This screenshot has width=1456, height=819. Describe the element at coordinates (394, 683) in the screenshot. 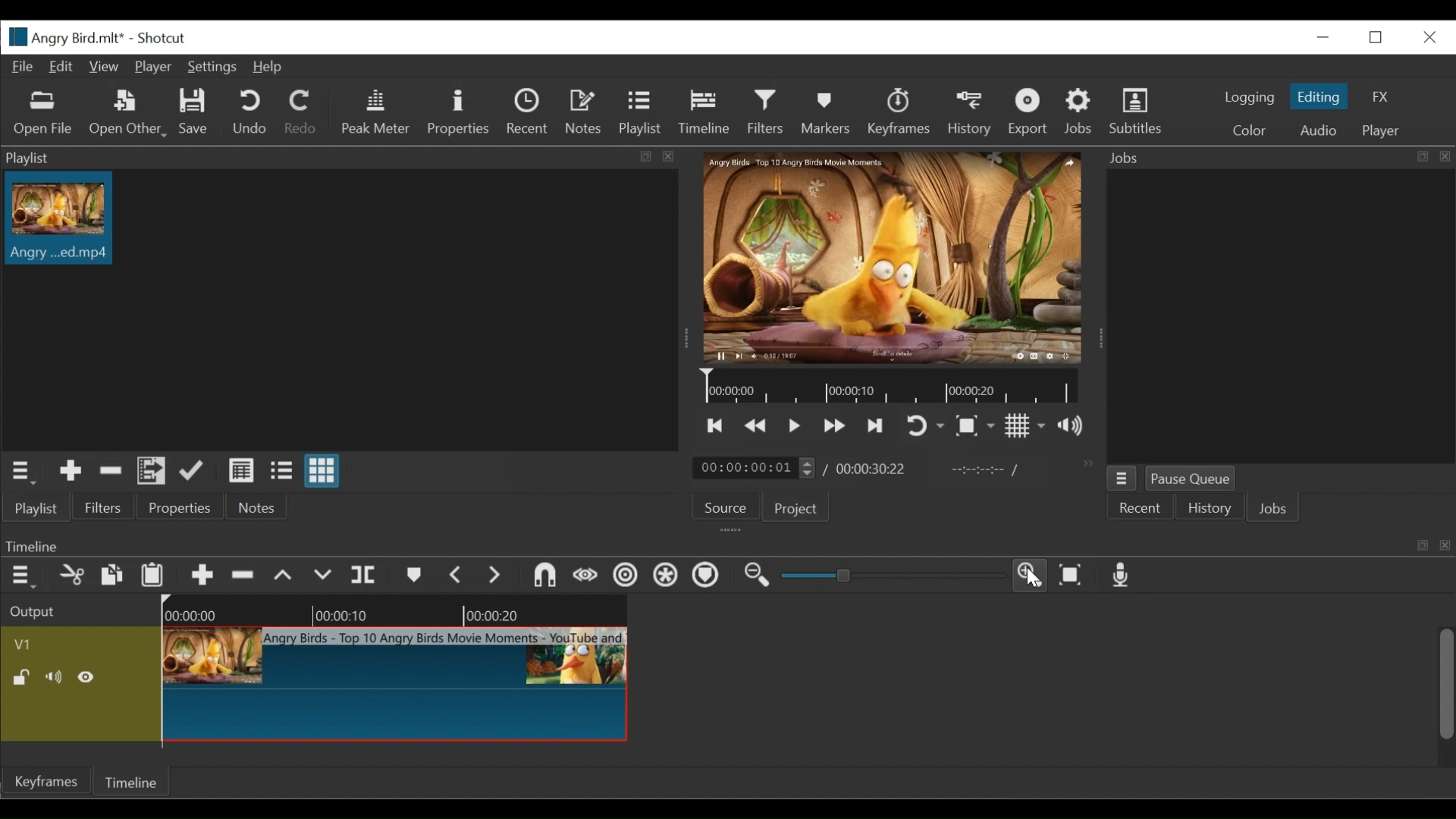

I see `Clip at timeline` at that location.